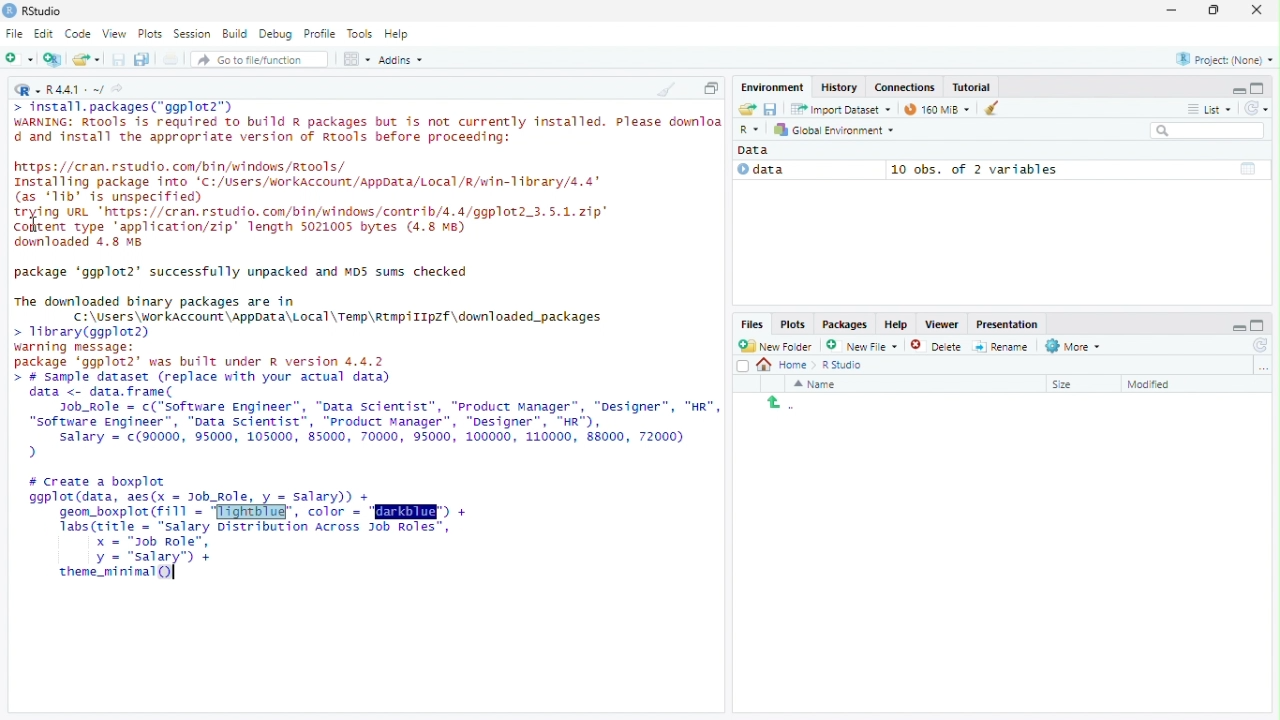 The height and width of the screenshot is (720, 1280). I want to click on Viewer, so click(941, 324).